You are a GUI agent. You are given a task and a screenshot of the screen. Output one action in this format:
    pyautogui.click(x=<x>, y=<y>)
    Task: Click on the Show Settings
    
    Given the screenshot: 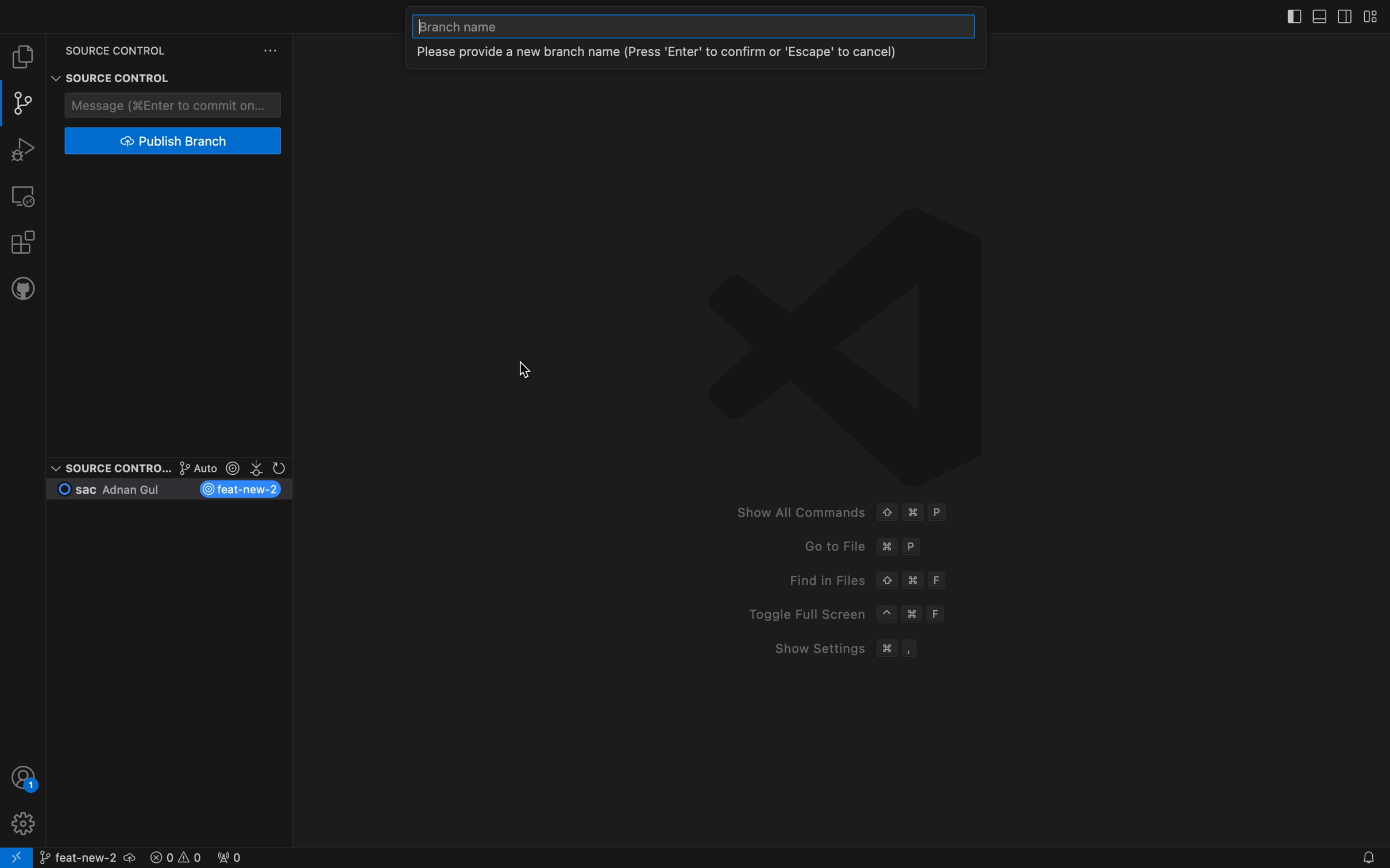 What is the action you would take?
    pyautogui.click(x=811, y=648)
    